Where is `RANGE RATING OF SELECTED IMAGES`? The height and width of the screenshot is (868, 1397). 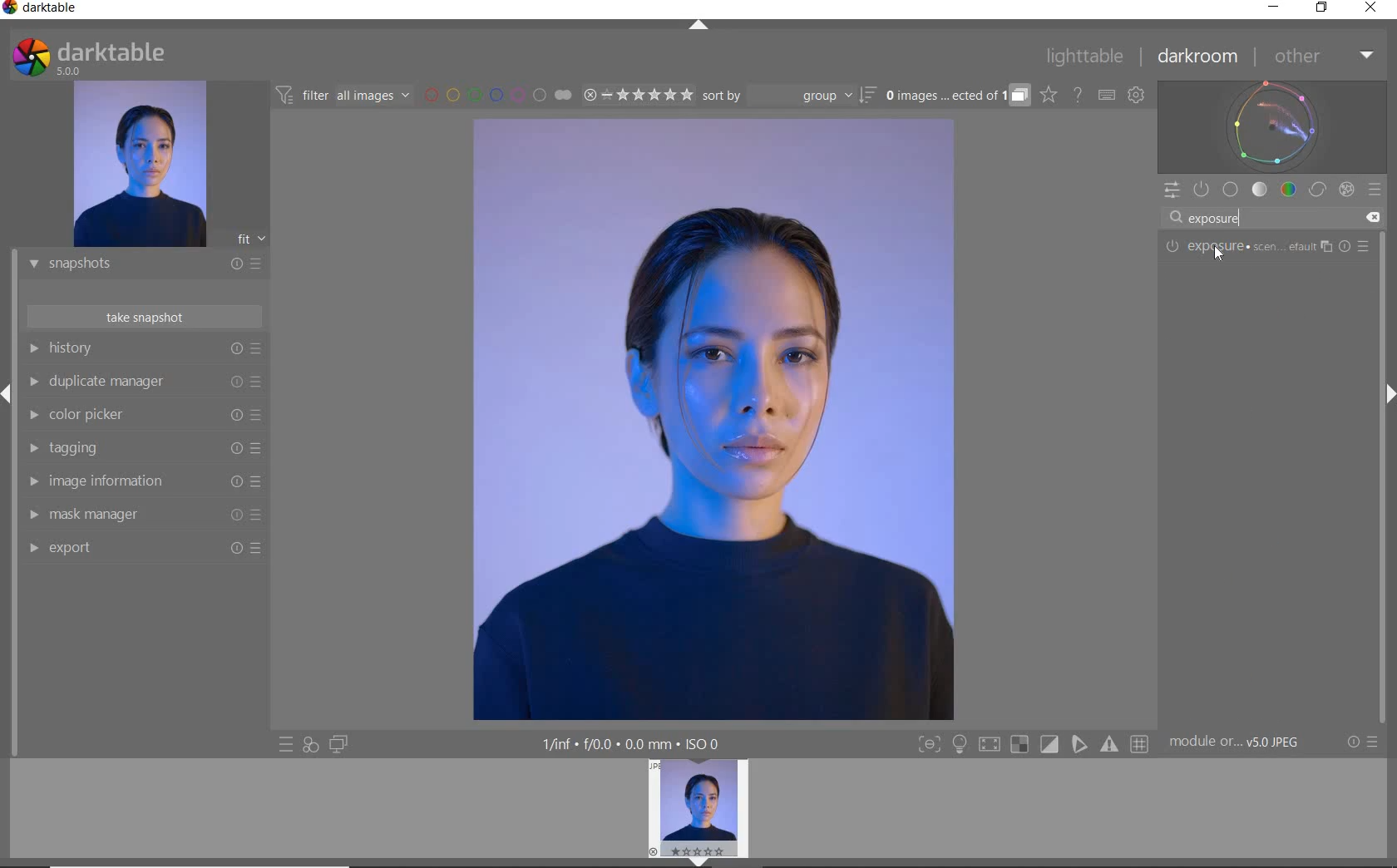
RANGE RATING OF SELECTED IMAGES is located at coordinates (637, 94).